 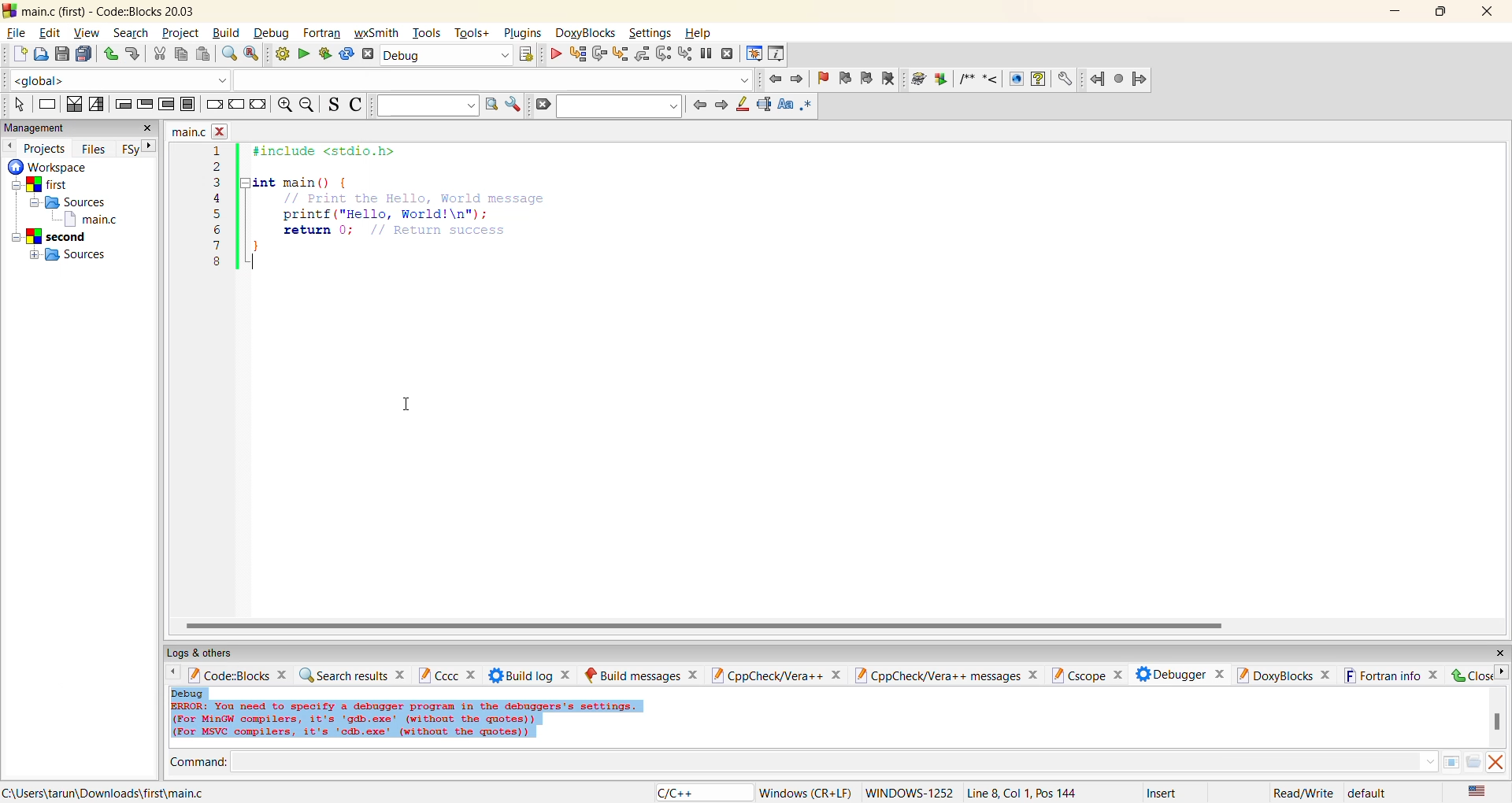 I want to click on close, so click(x=146, y=128).